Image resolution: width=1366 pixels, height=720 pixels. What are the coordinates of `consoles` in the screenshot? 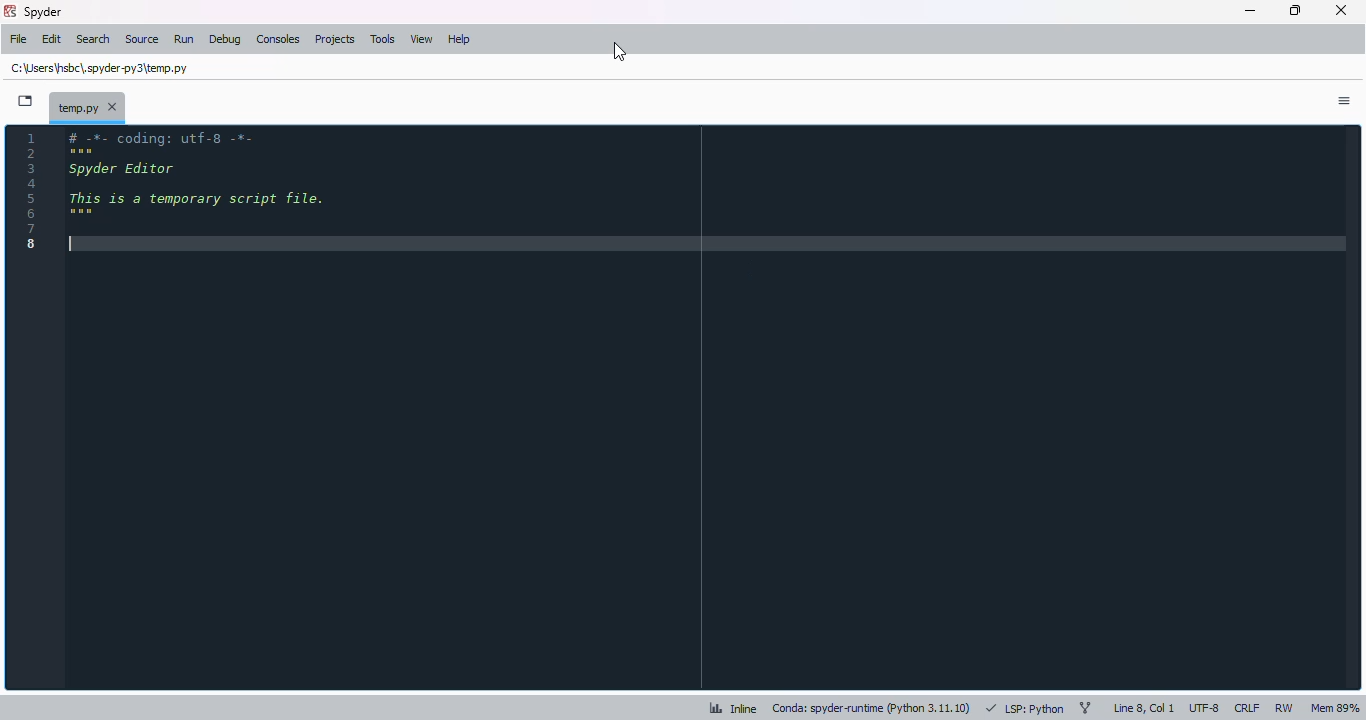 It's located at (279, 40).